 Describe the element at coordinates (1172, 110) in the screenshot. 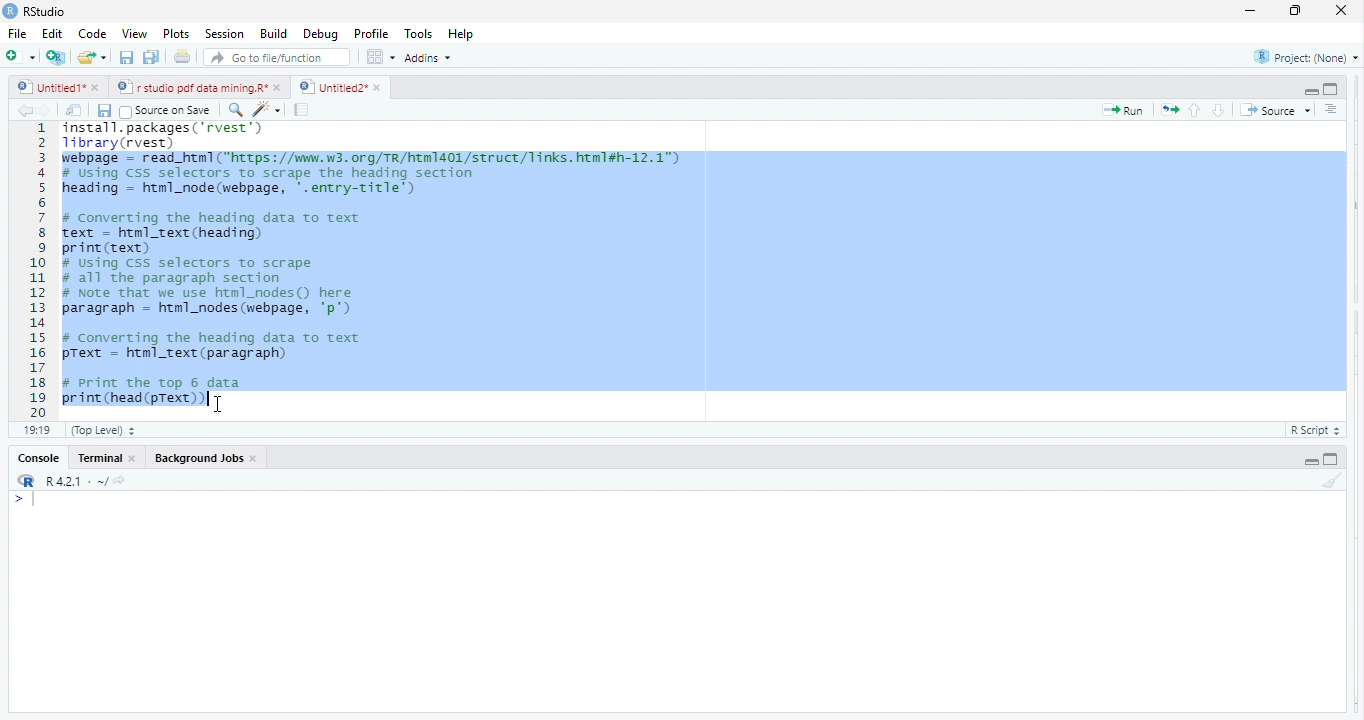

I see `re run the previous code` at that location.